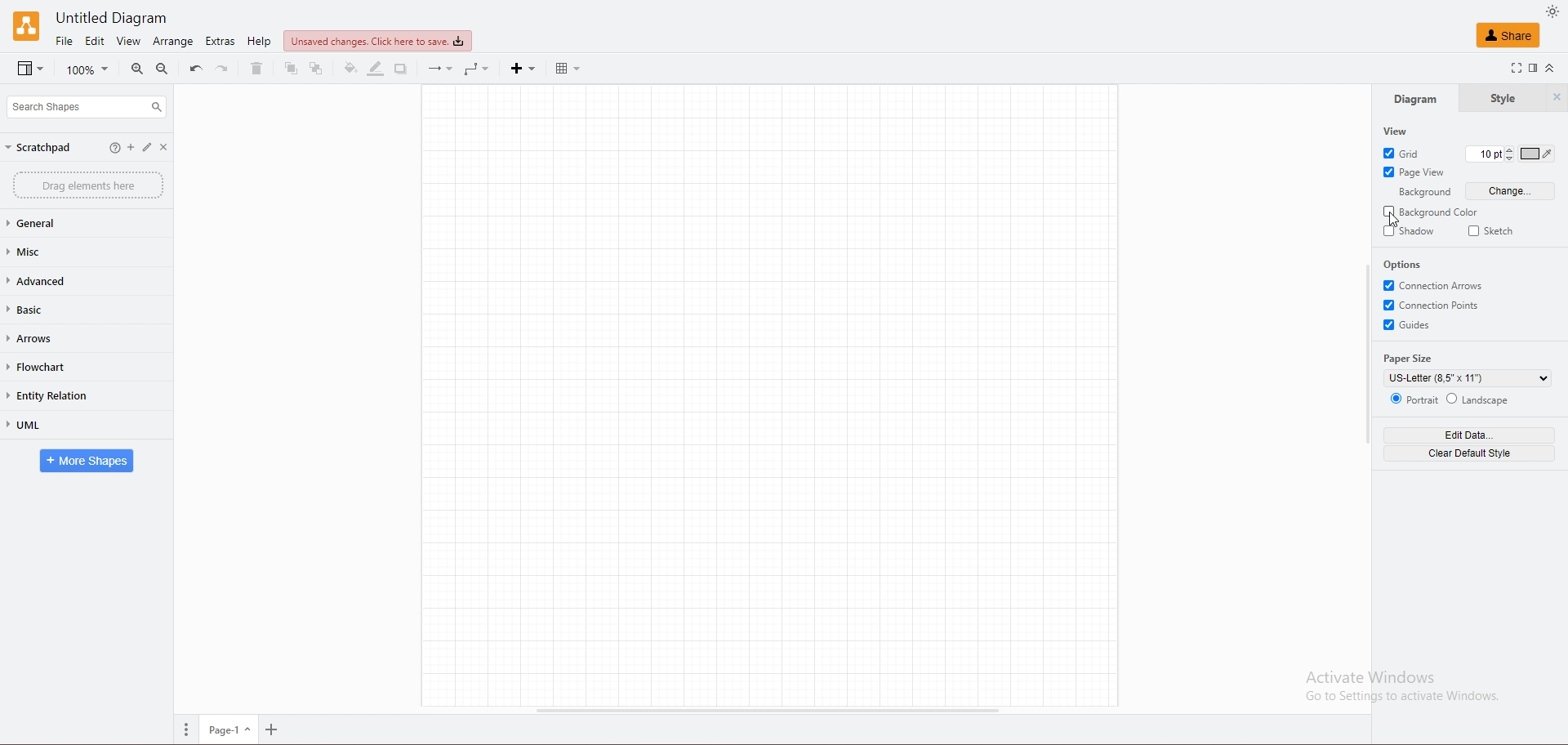 The width and height of the screenshot is (1568, 745). Describe the element at coordinates (1414, 172) in the screenshot. I see `page view` at that location.